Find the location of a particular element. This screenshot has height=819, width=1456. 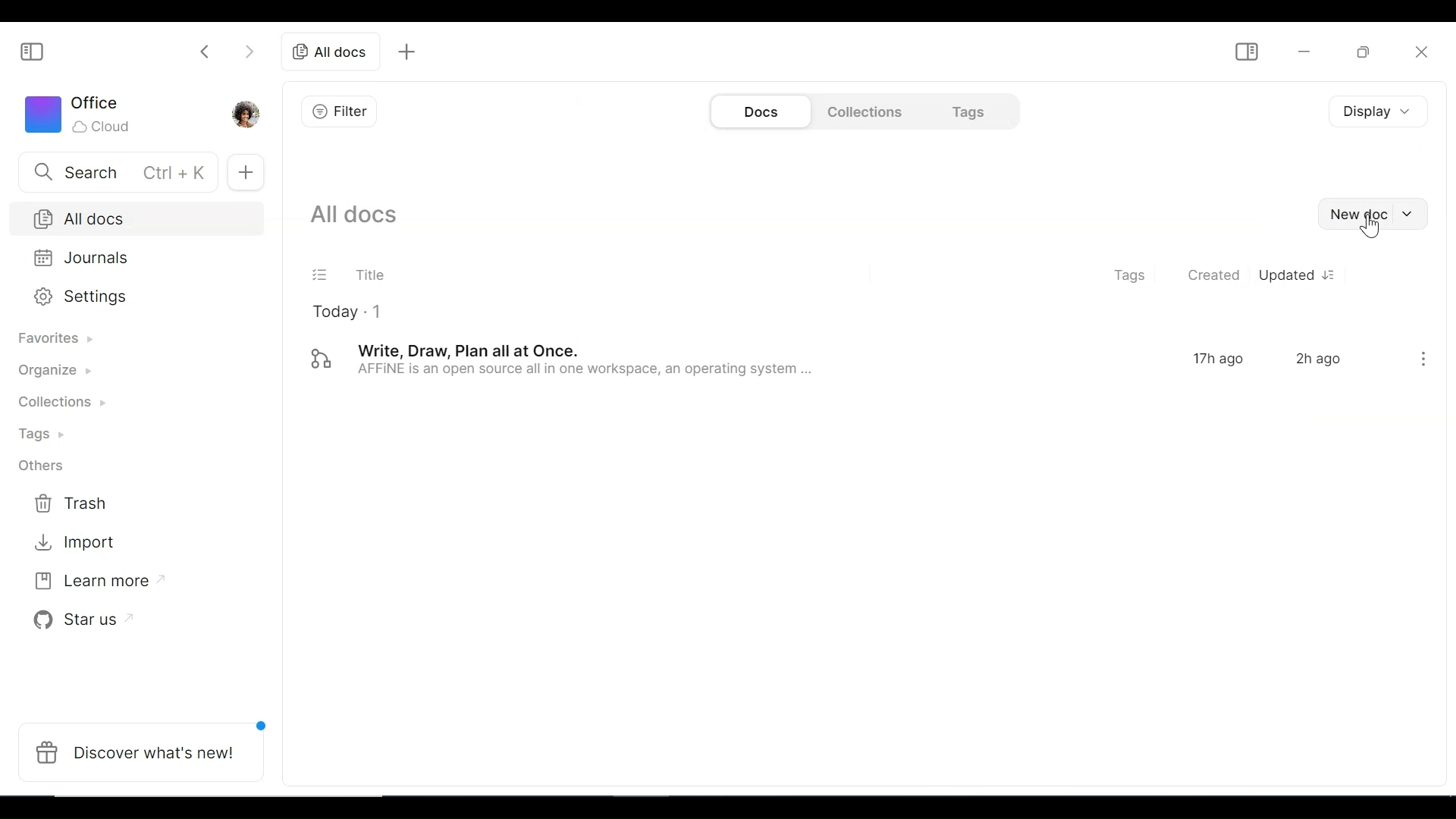

Collections is located at coordinates (861, 111).